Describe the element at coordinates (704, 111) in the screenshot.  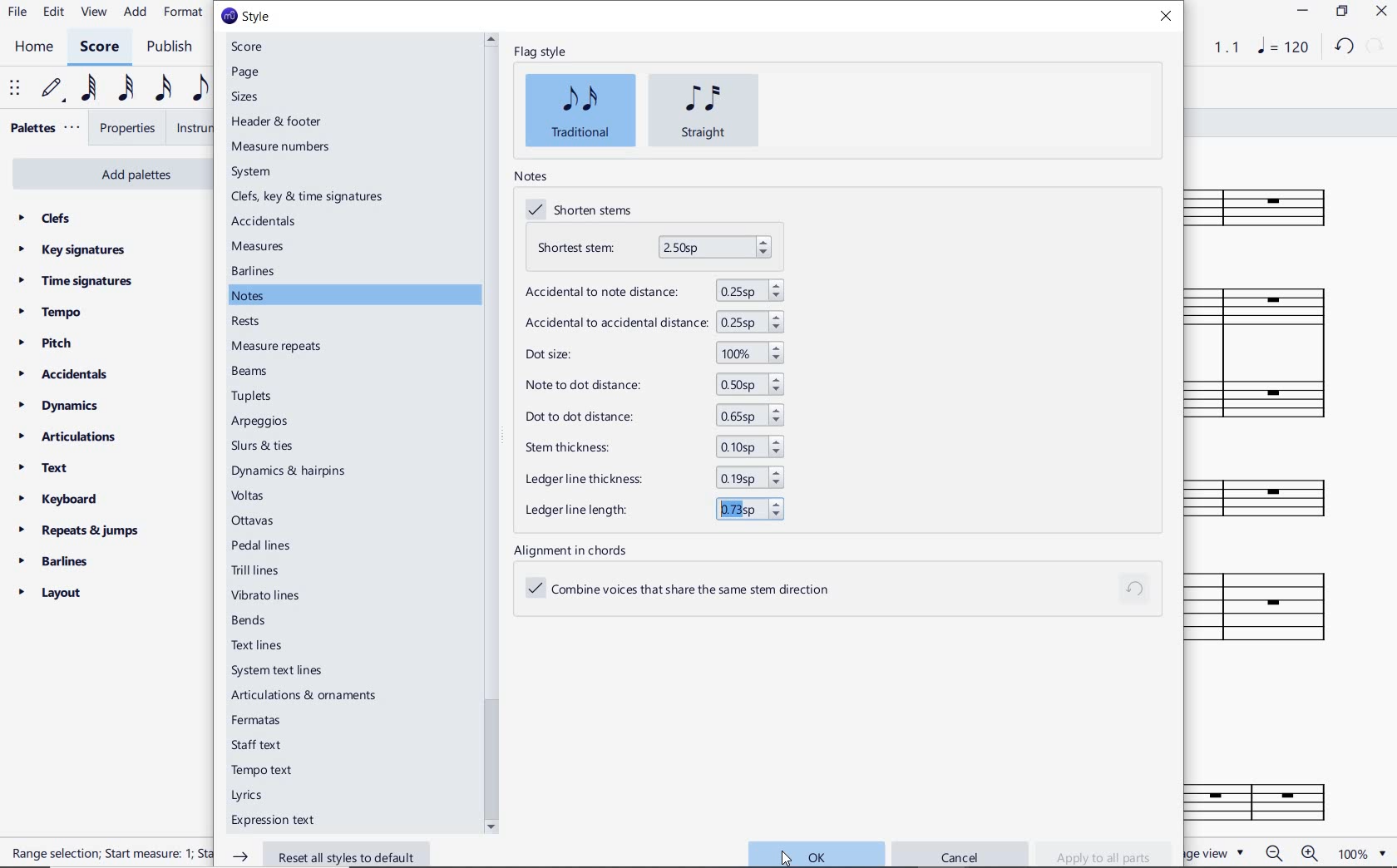
I see `straight` at that location.